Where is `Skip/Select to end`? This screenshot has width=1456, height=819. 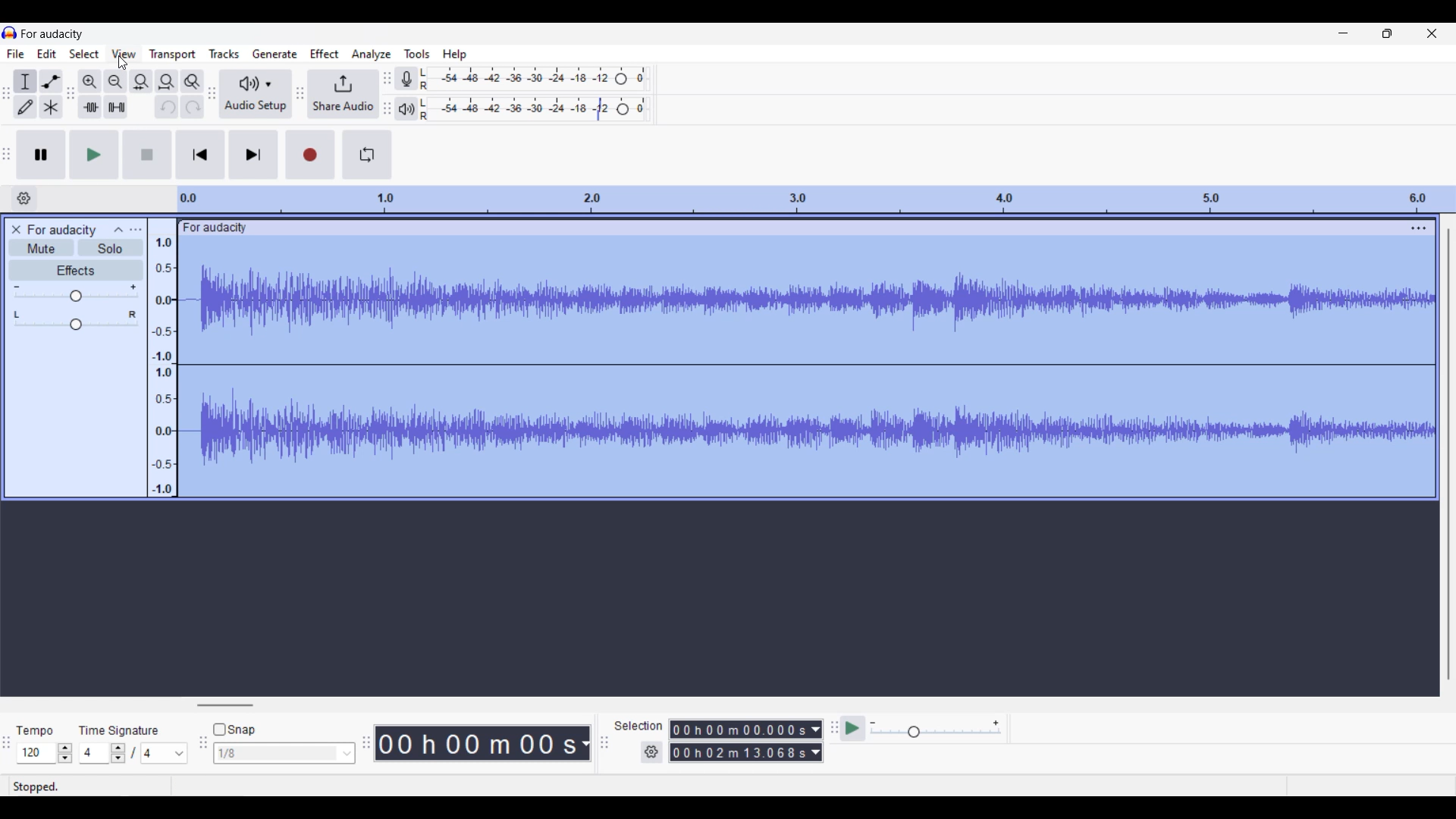
Skip/Select to end is located at coordinates (253, 155).